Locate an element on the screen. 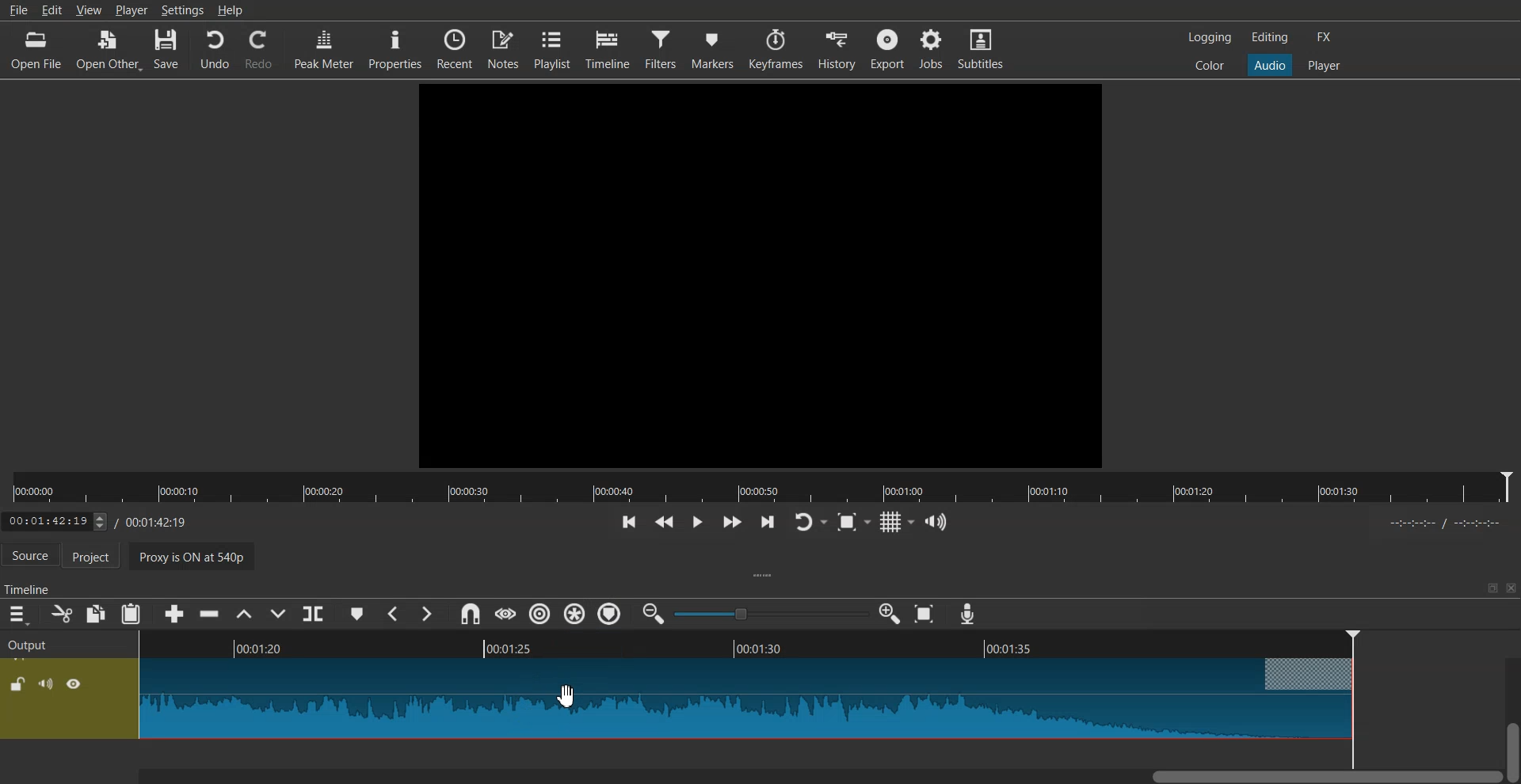  Scrub while dragging is located at coordinates (505, 614).